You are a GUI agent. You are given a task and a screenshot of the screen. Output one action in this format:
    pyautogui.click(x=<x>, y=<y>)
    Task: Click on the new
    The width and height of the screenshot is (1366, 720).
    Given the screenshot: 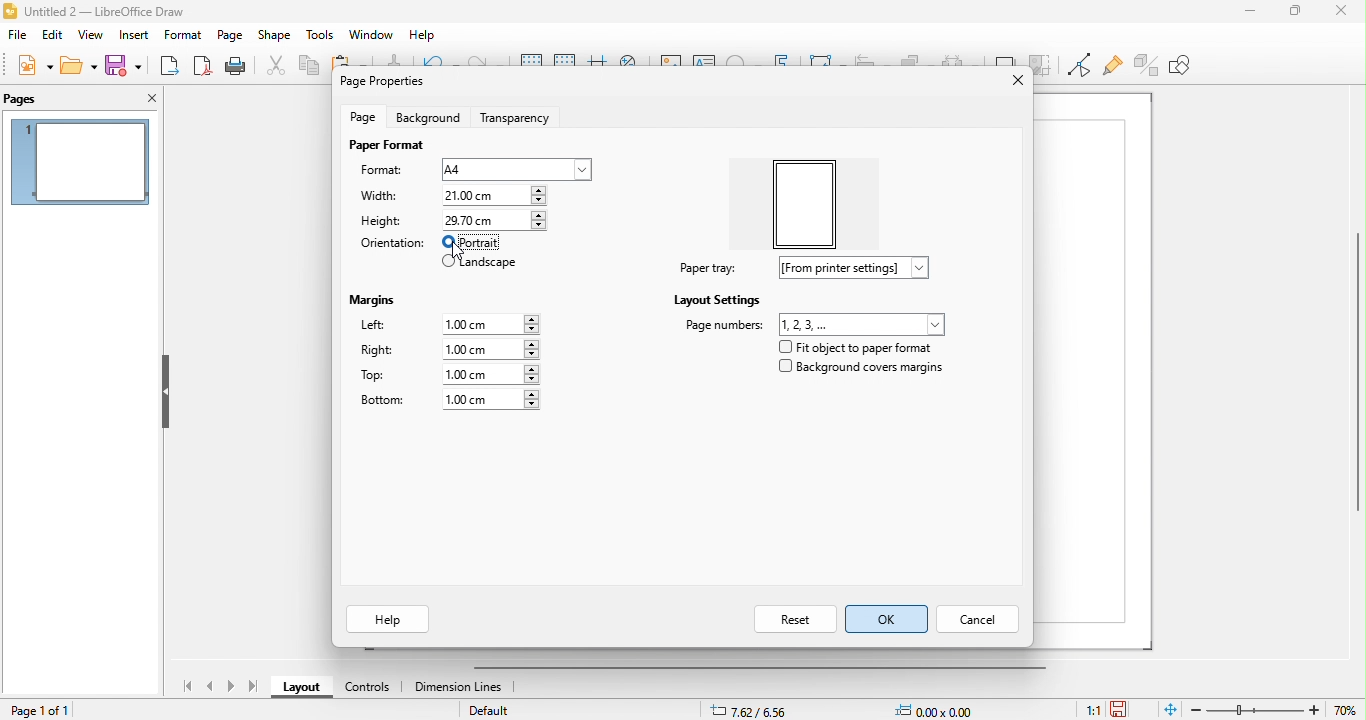 What is the action you would take?
    pyautogui.click(x=33, y=64)
    